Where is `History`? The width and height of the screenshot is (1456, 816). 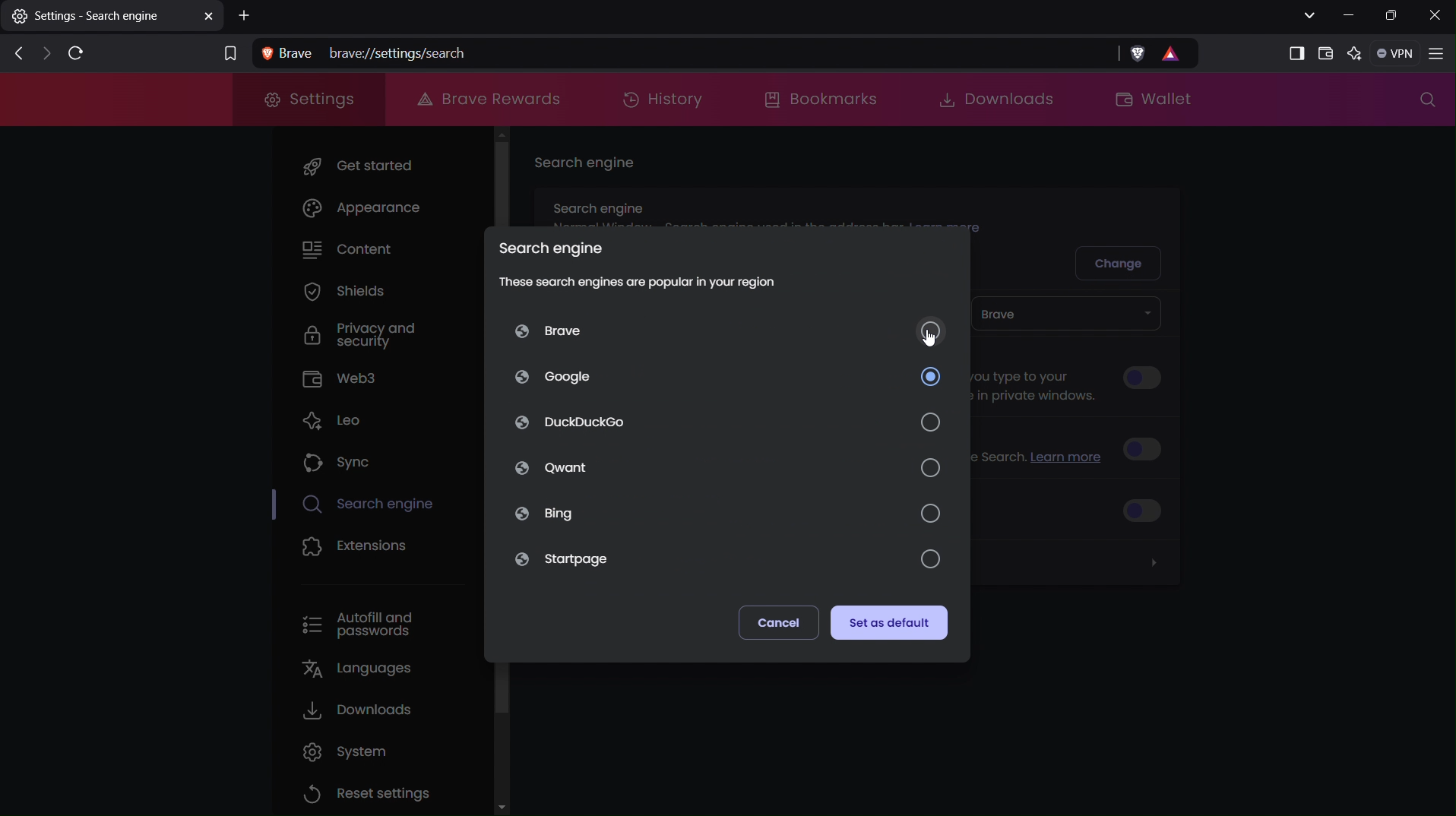
History is located at coordinates (663, 99).